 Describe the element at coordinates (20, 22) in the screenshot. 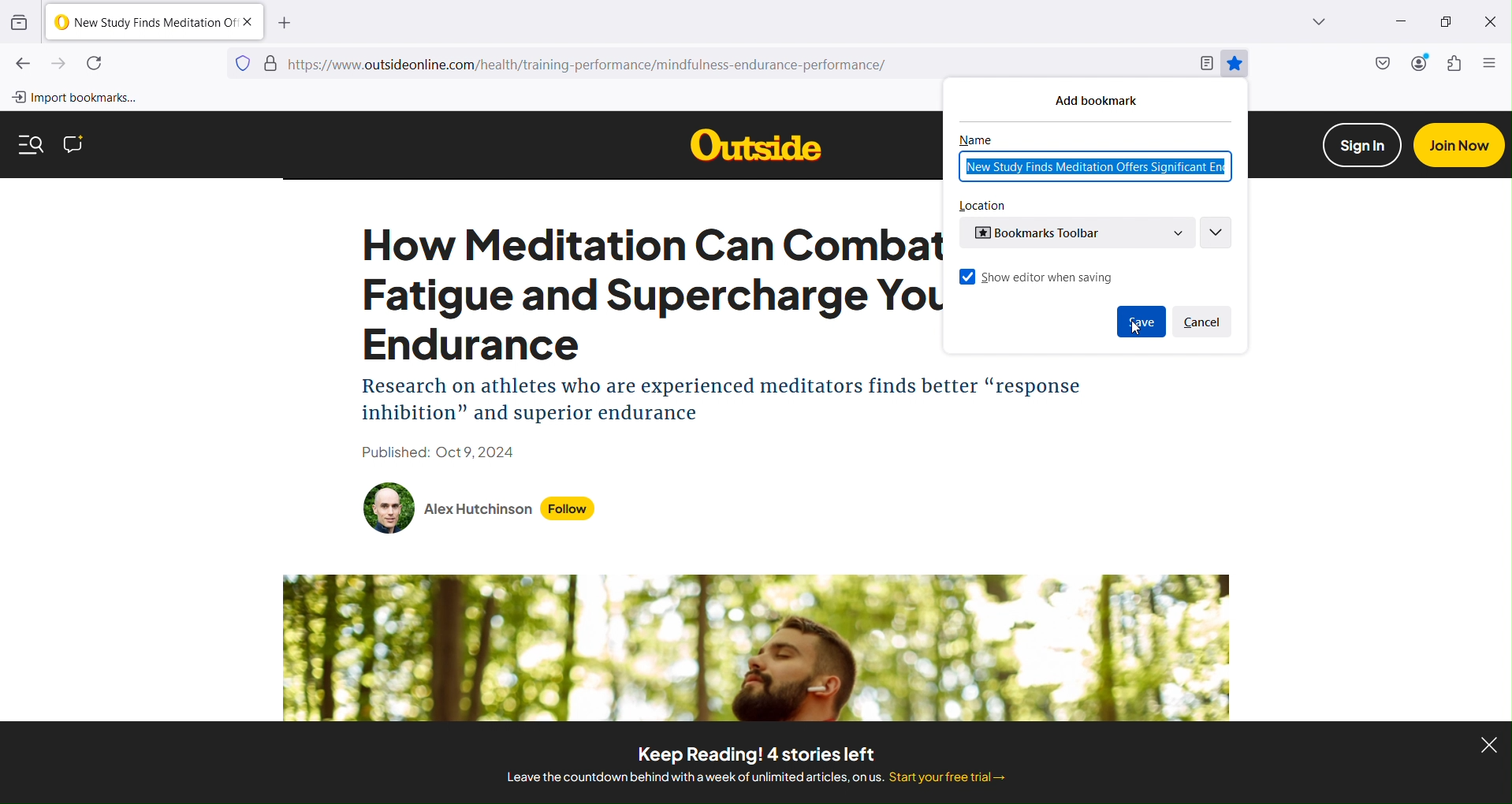

I see `View recent browsing across windows and devices` at that location.